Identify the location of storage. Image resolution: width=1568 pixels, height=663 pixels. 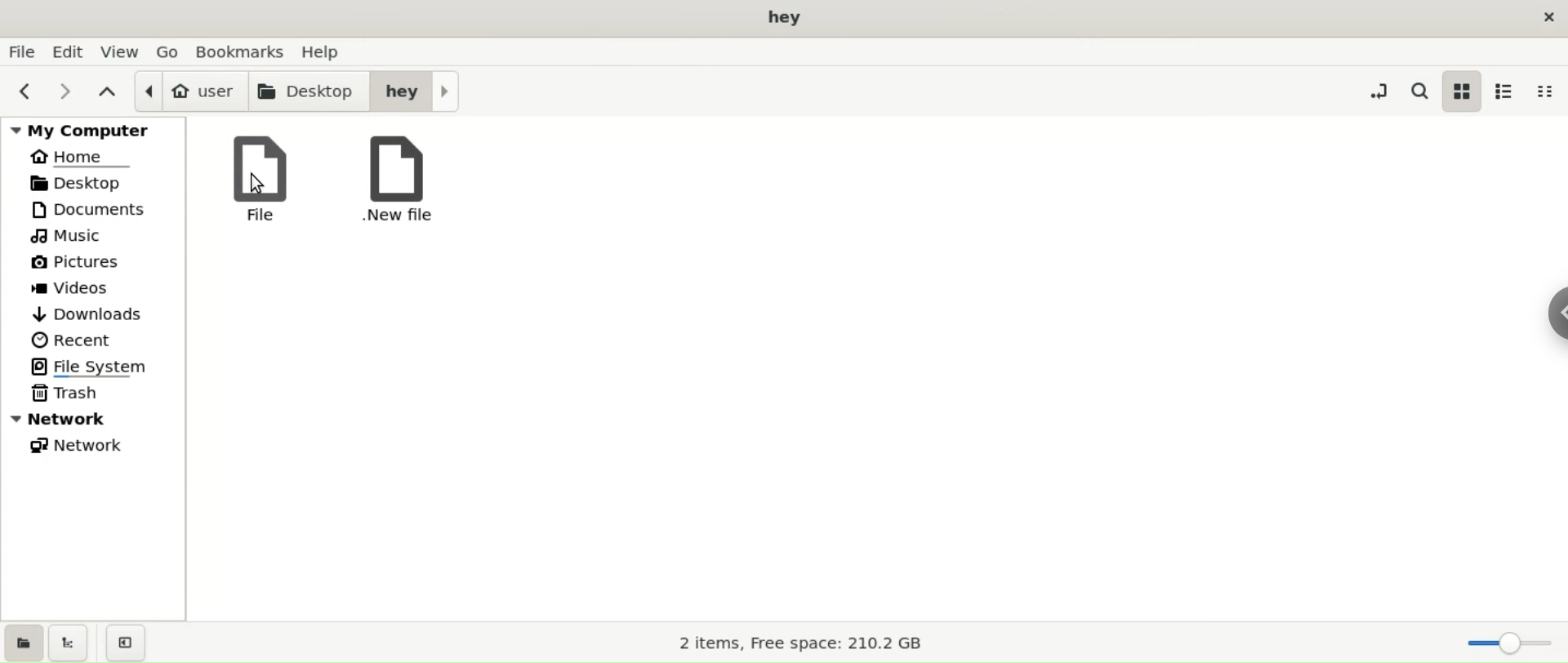
(795, 644).